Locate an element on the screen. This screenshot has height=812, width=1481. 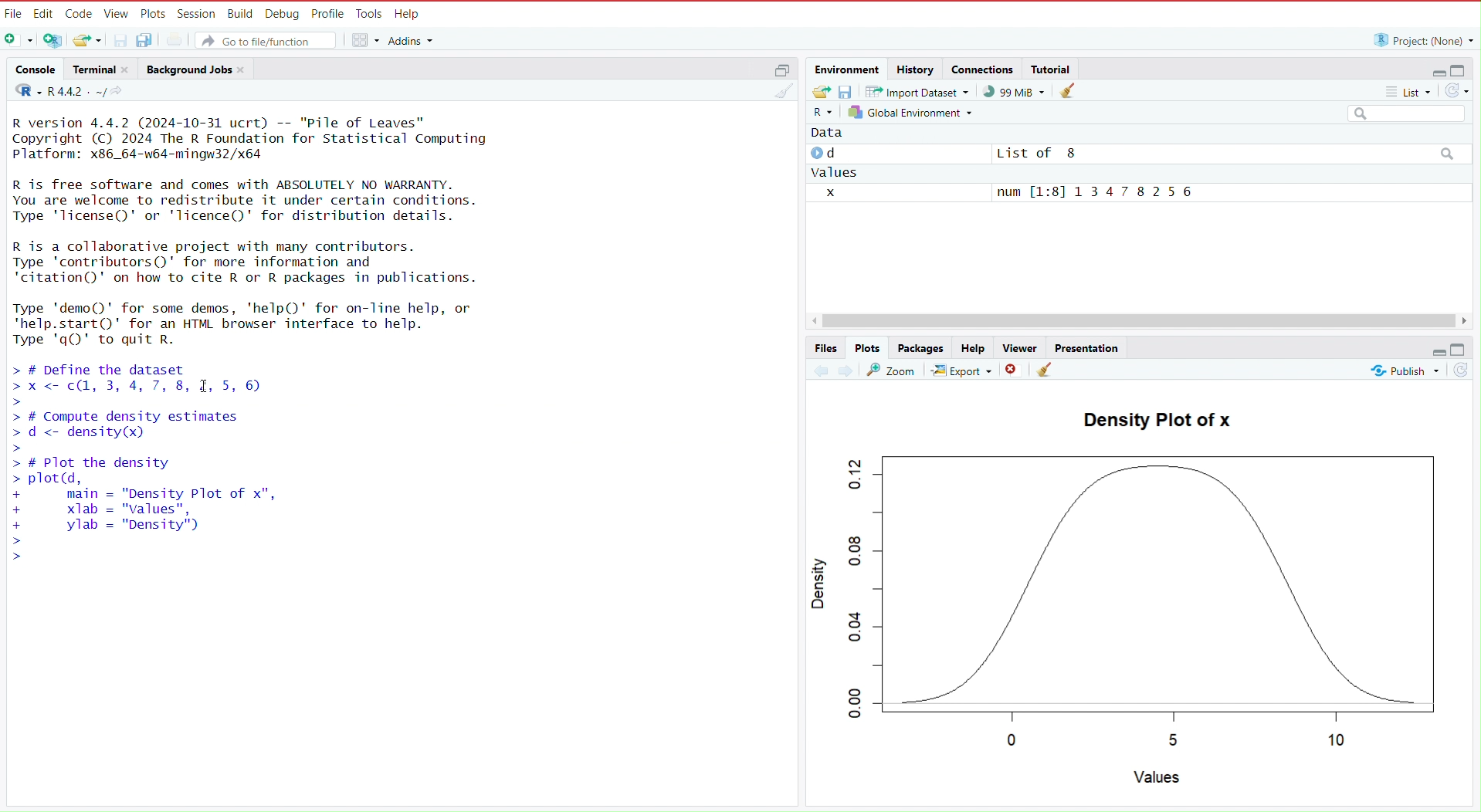
save workspace as is located at coordinates (846, 93).